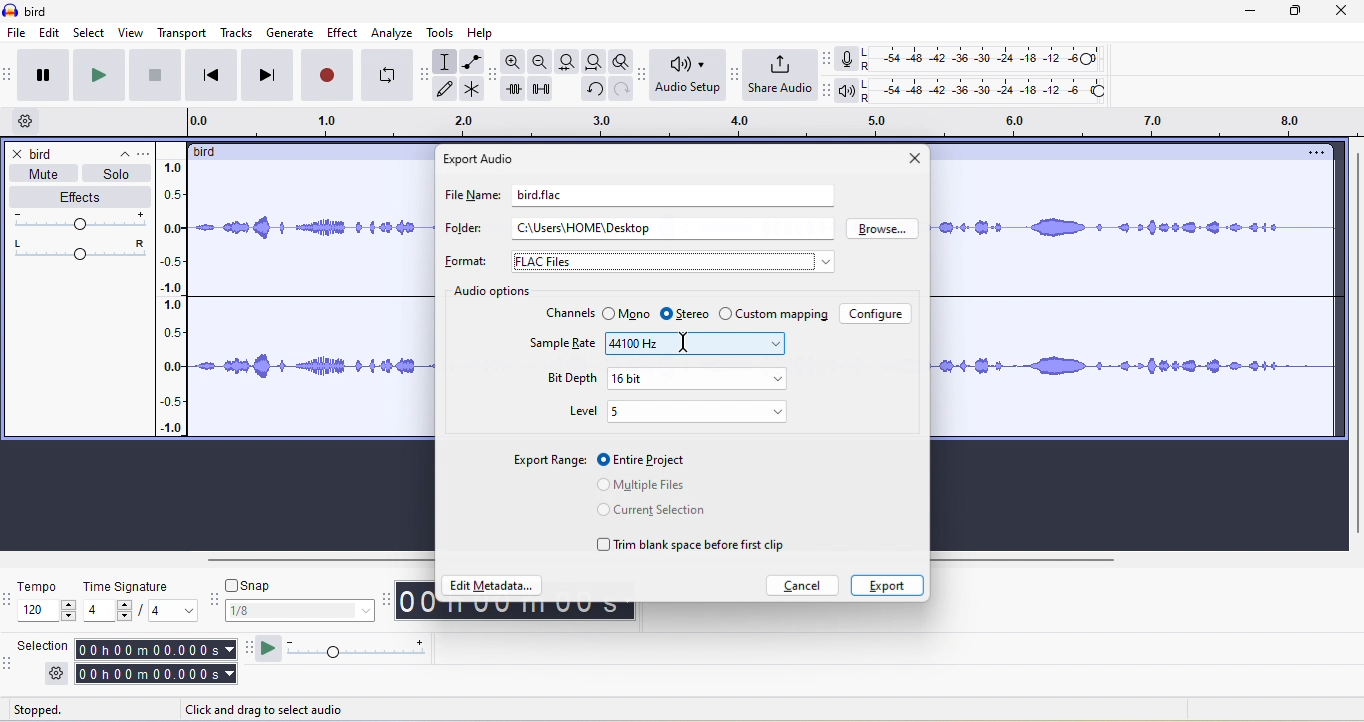 This screenshot has height=722, width=1364. Describe the element at coordinates (157, 80) in the screenshot. I see `stop` at that location.